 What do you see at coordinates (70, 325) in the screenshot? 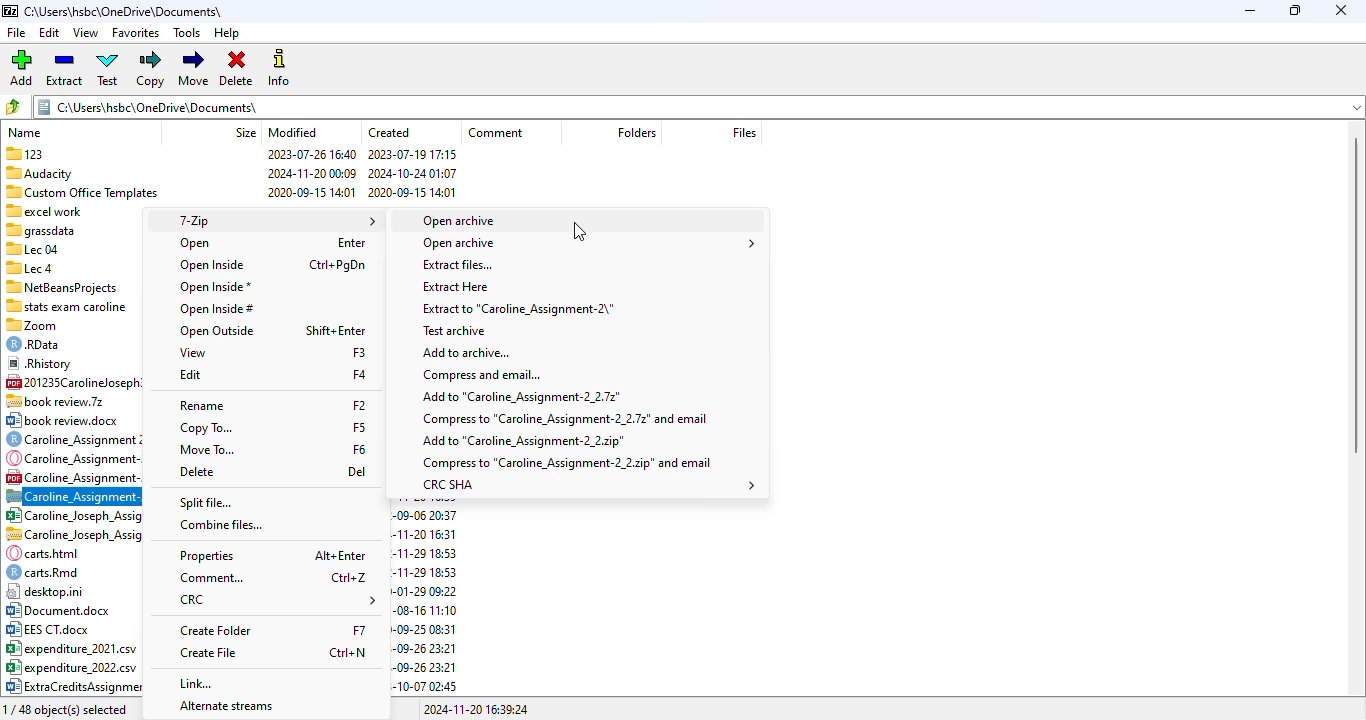
I see `| %0 Zoom 2022-01-20 10:44 2020-10-02 00:42` at bounding box center [70, 325].